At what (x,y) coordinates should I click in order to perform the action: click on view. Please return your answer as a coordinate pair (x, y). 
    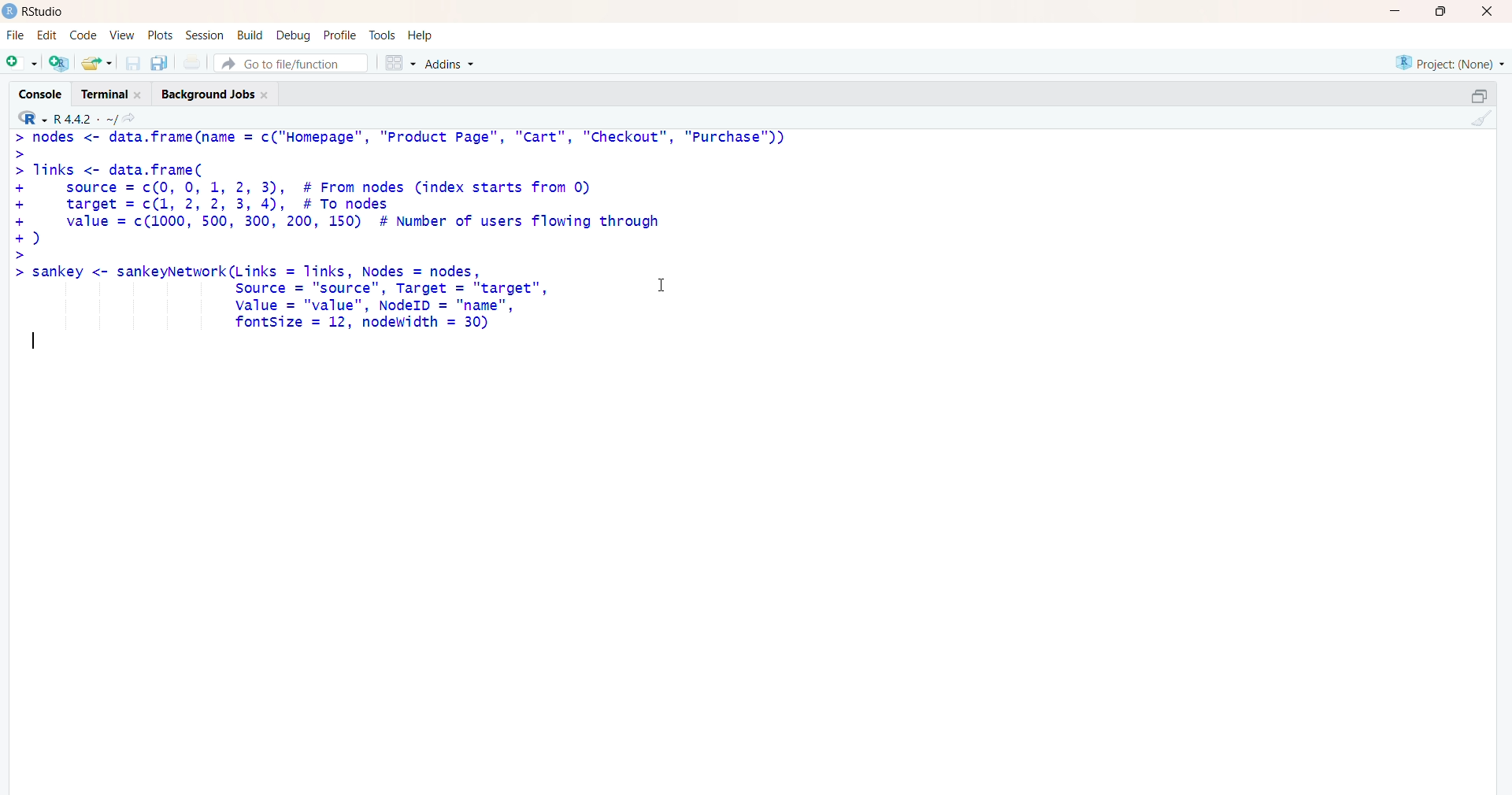
    Looking at the image, I should click on (120, 35).